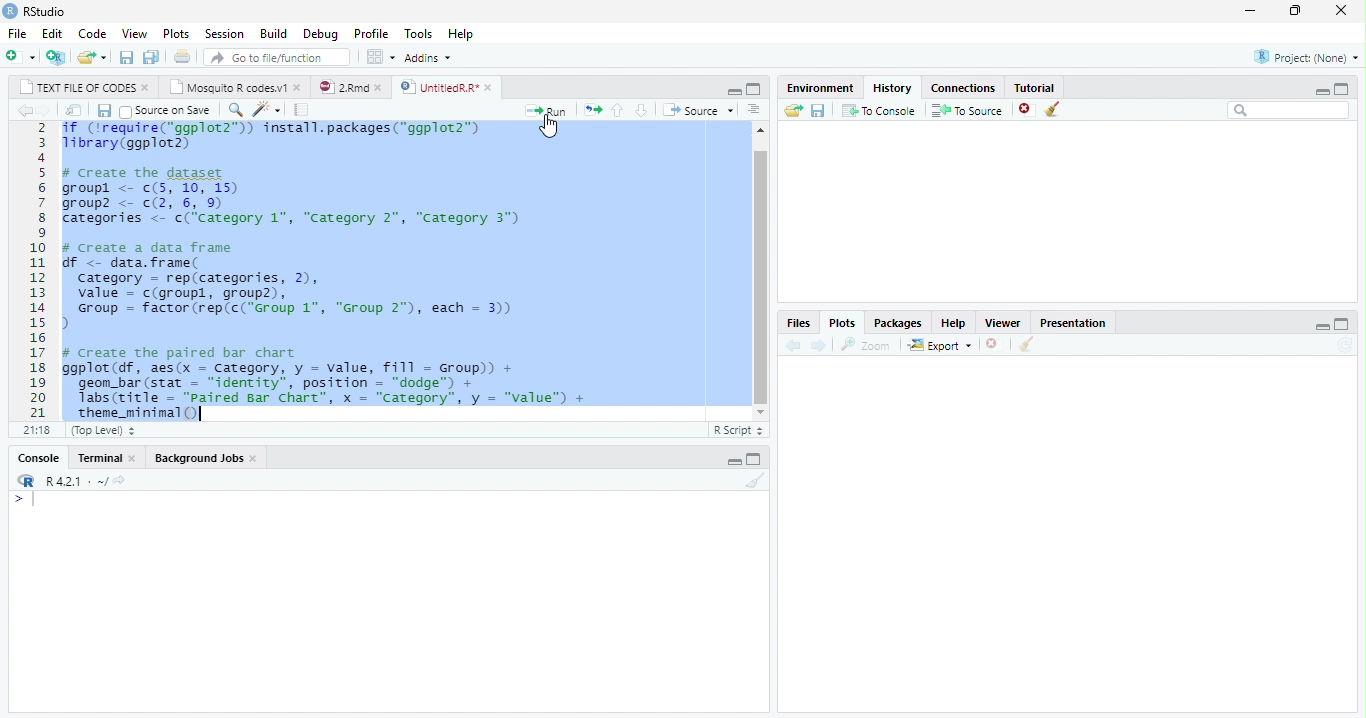  I want to click on source, so click(697, 110).